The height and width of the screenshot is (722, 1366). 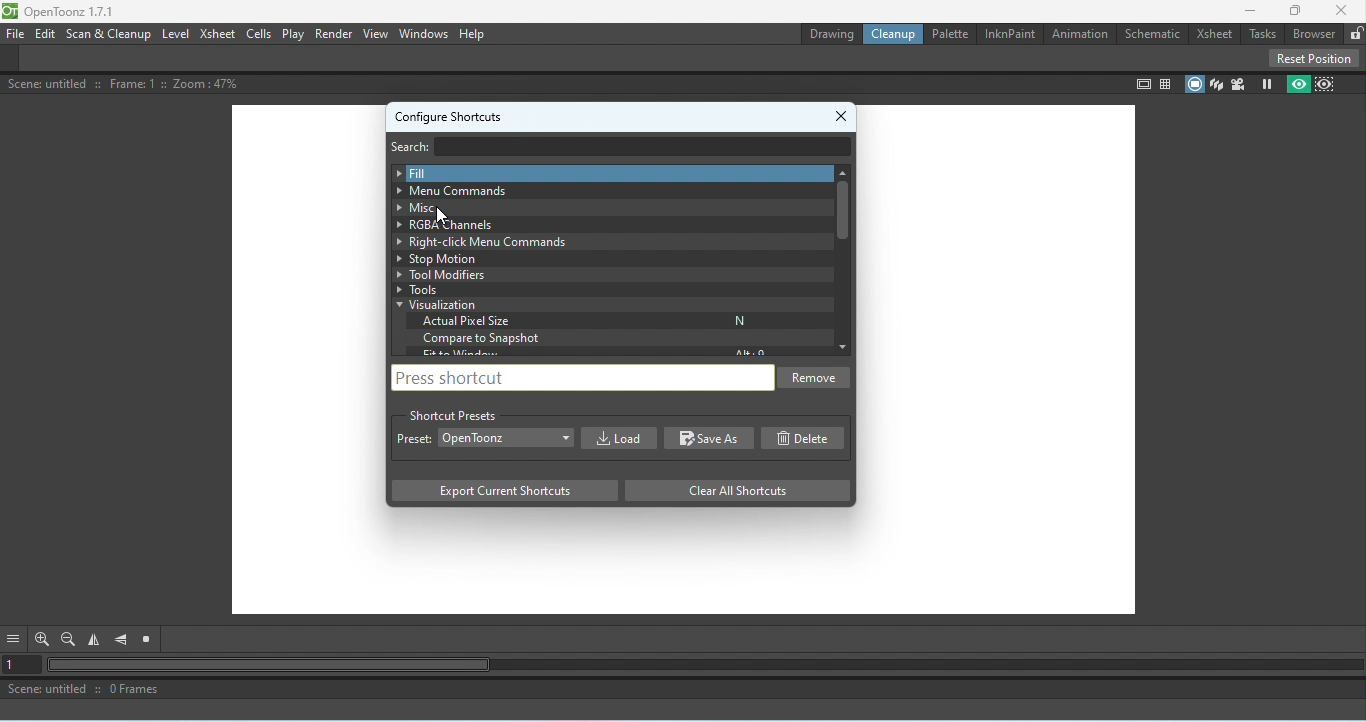 I want to click on Help, so click(x=473, y=34).